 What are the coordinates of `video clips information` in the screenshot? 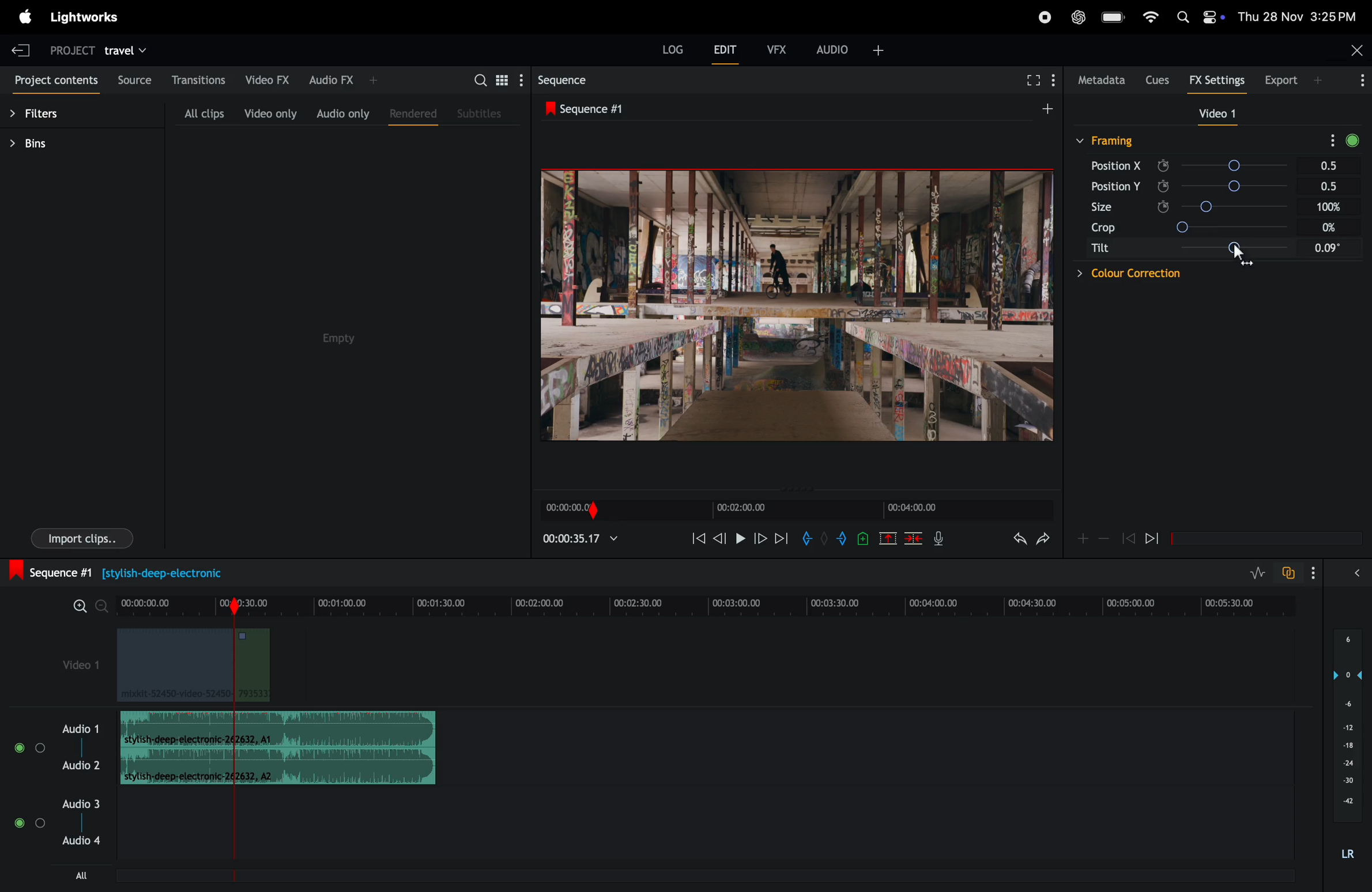 It's located at (197, 668).